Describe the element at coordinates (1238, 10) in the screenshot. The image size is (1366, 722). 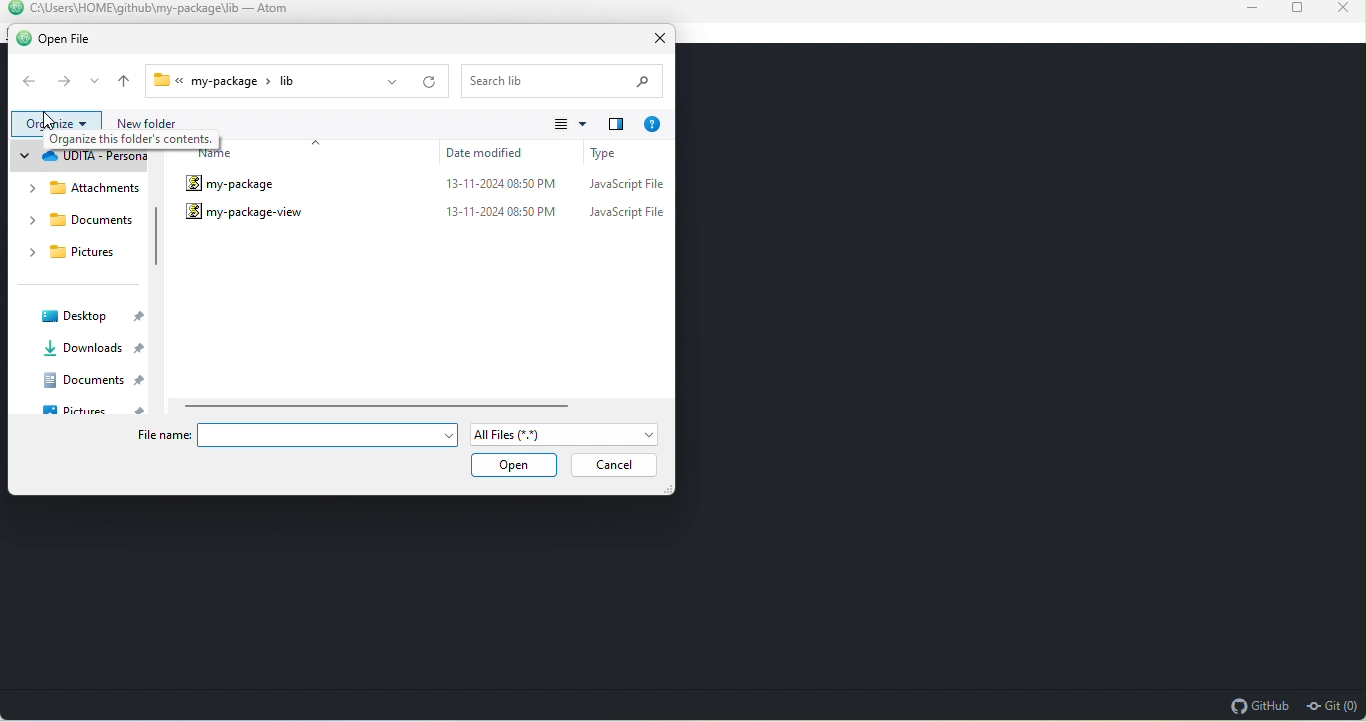
I see `minimize` at that location.